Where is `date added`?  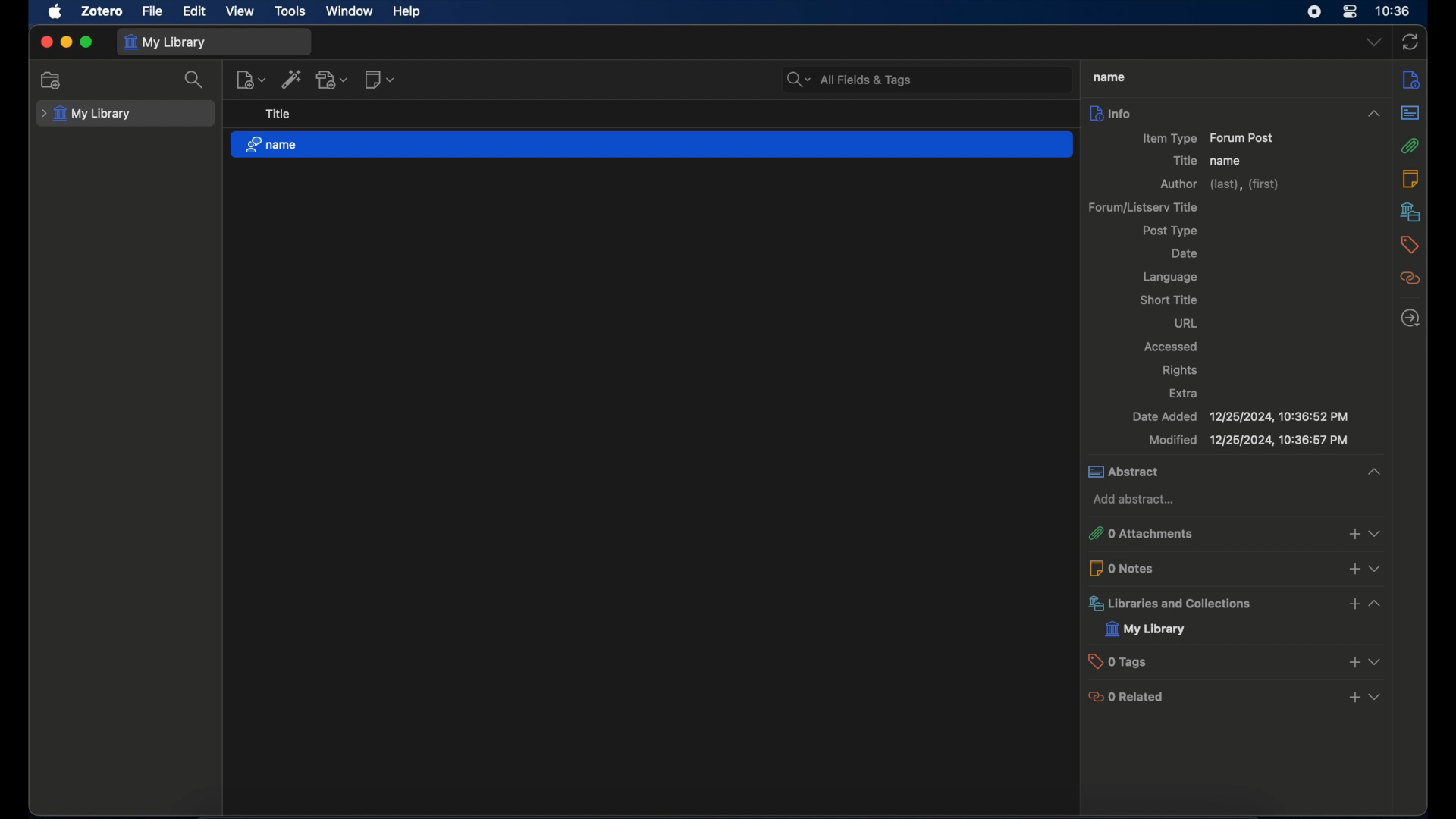 date added is located at coordinates (1241, 416).